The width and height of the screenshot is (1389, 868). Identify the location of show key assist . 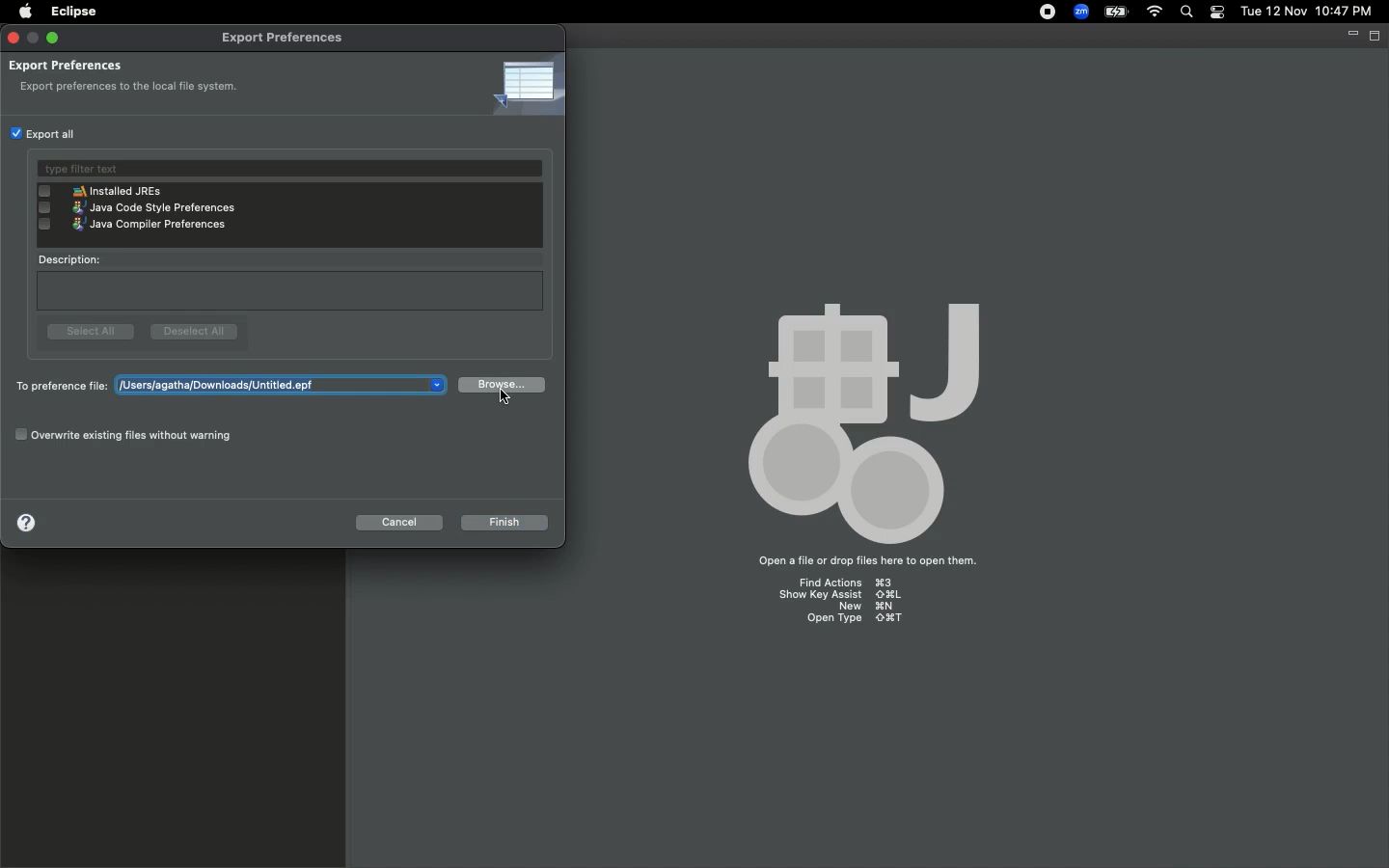
(843, 595).